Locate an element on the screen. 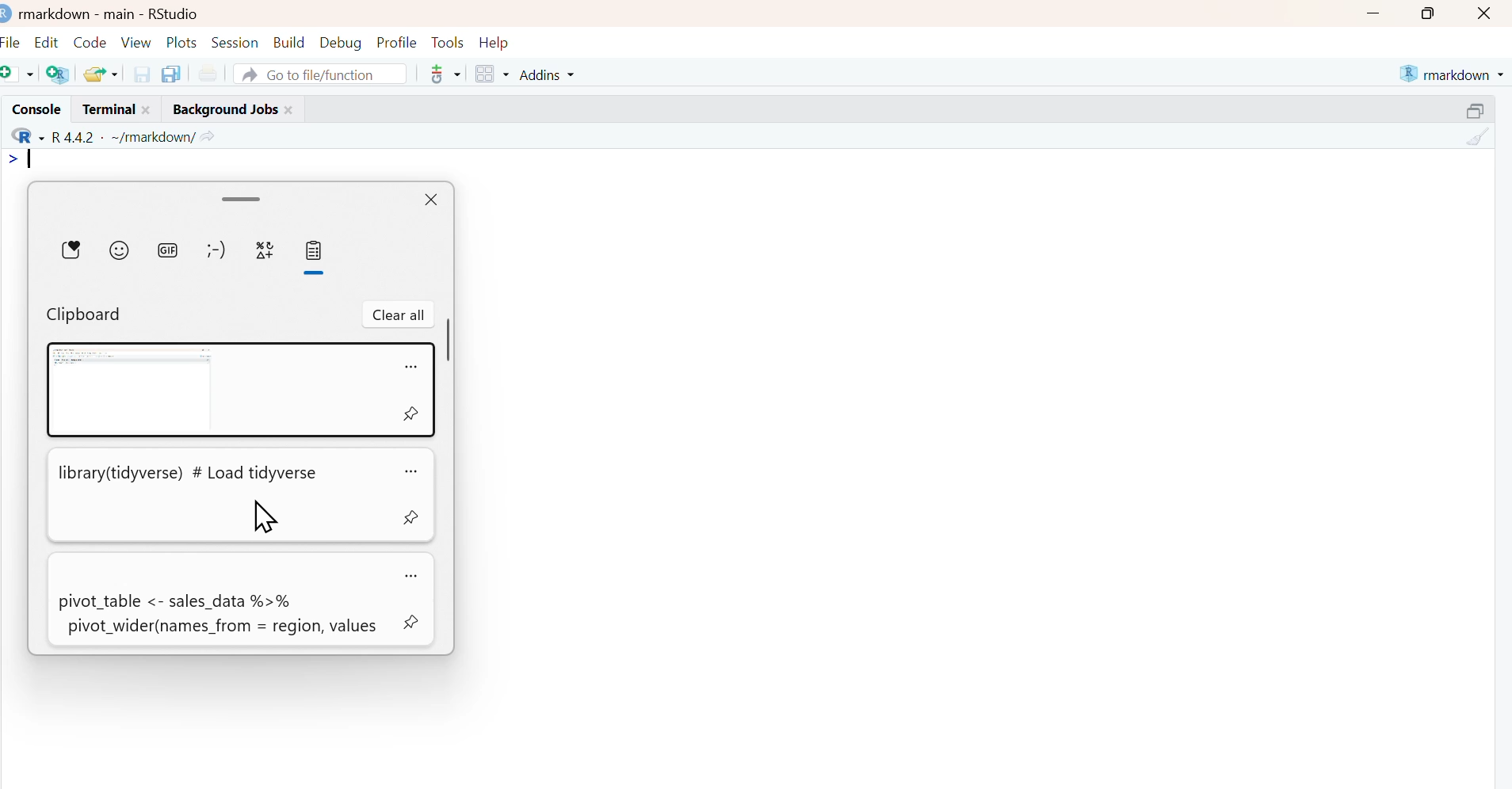 The width and height of the screenshot is (1512, 789). pin is located at coordinates (414, 520).